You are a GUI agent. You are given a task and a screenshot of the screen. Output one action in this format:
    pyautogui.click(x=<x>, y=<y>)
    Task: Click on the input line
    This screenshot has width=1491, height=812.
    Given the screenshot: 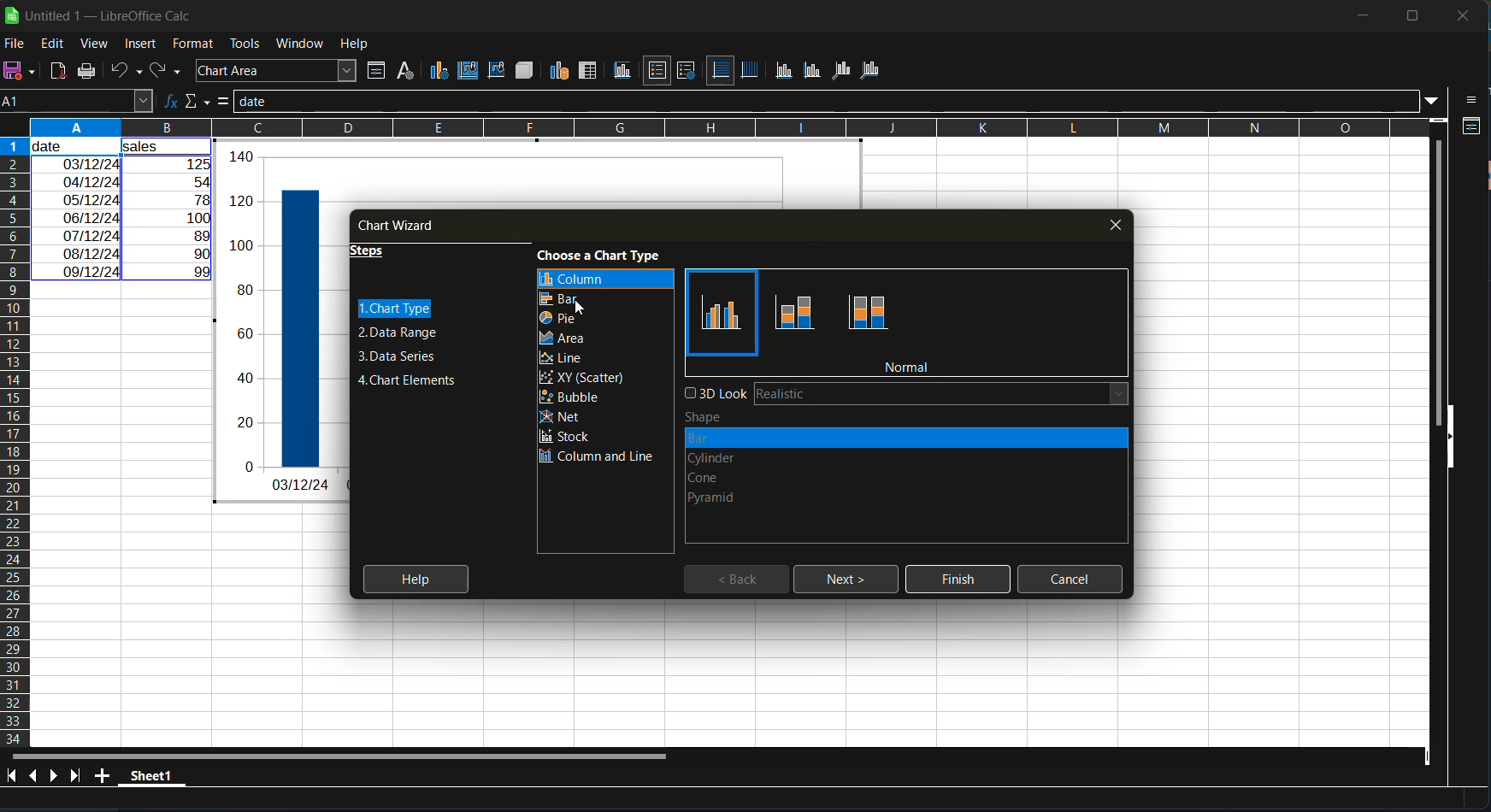 What is the action you would take?
    pyautogui.click(x=823, y=101)
    